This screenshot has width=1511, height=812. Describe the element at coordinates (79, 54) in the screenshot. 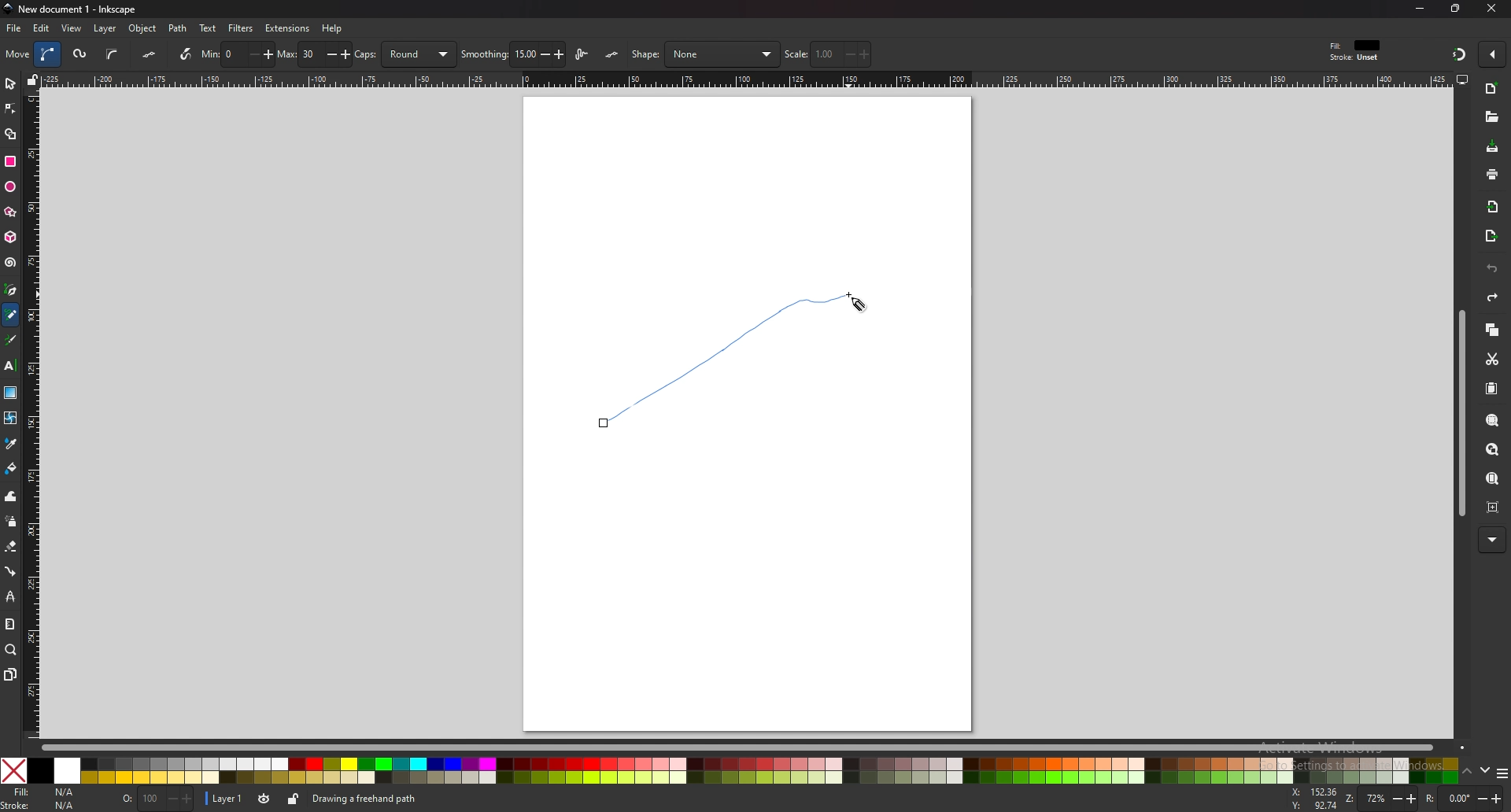

I see `spiro path` at that location.